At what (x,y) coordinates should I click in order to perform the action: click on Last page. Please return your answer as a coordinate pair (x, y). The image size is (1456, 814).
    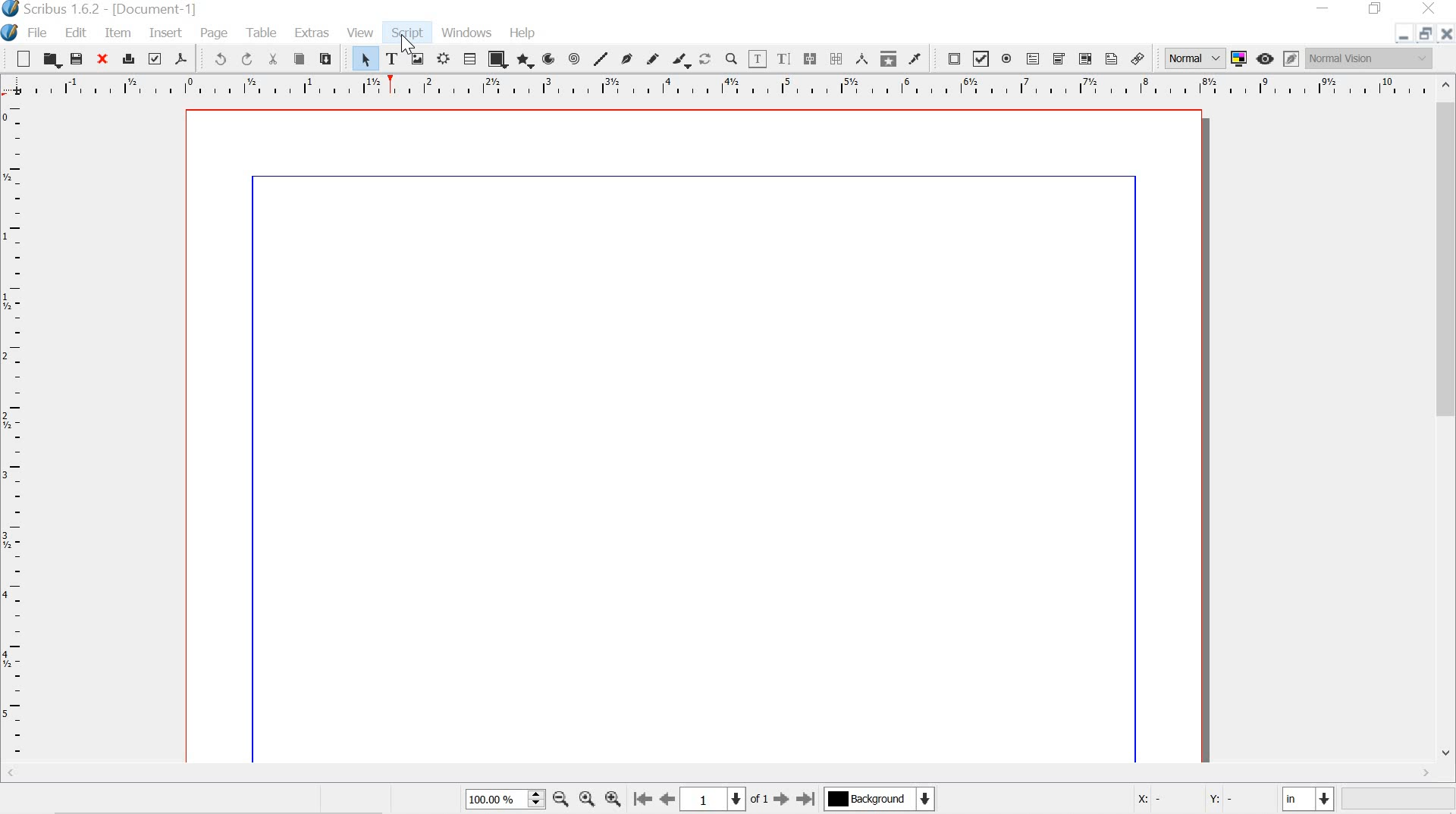
    Looking at the image, I should click on (807, 800).